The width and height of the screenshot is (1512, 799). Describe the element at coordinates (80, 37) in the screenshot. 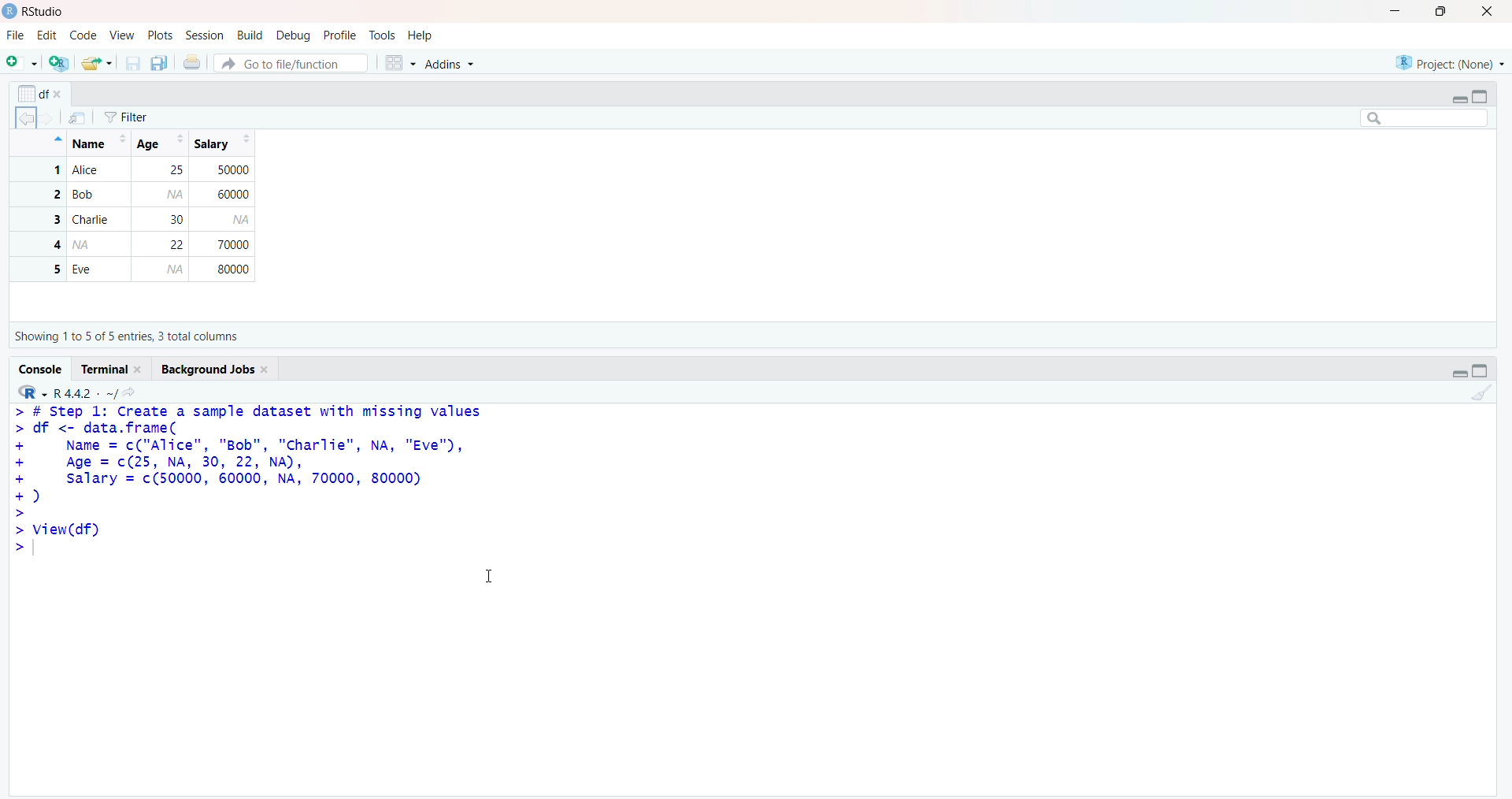

I see `Code` at that location.